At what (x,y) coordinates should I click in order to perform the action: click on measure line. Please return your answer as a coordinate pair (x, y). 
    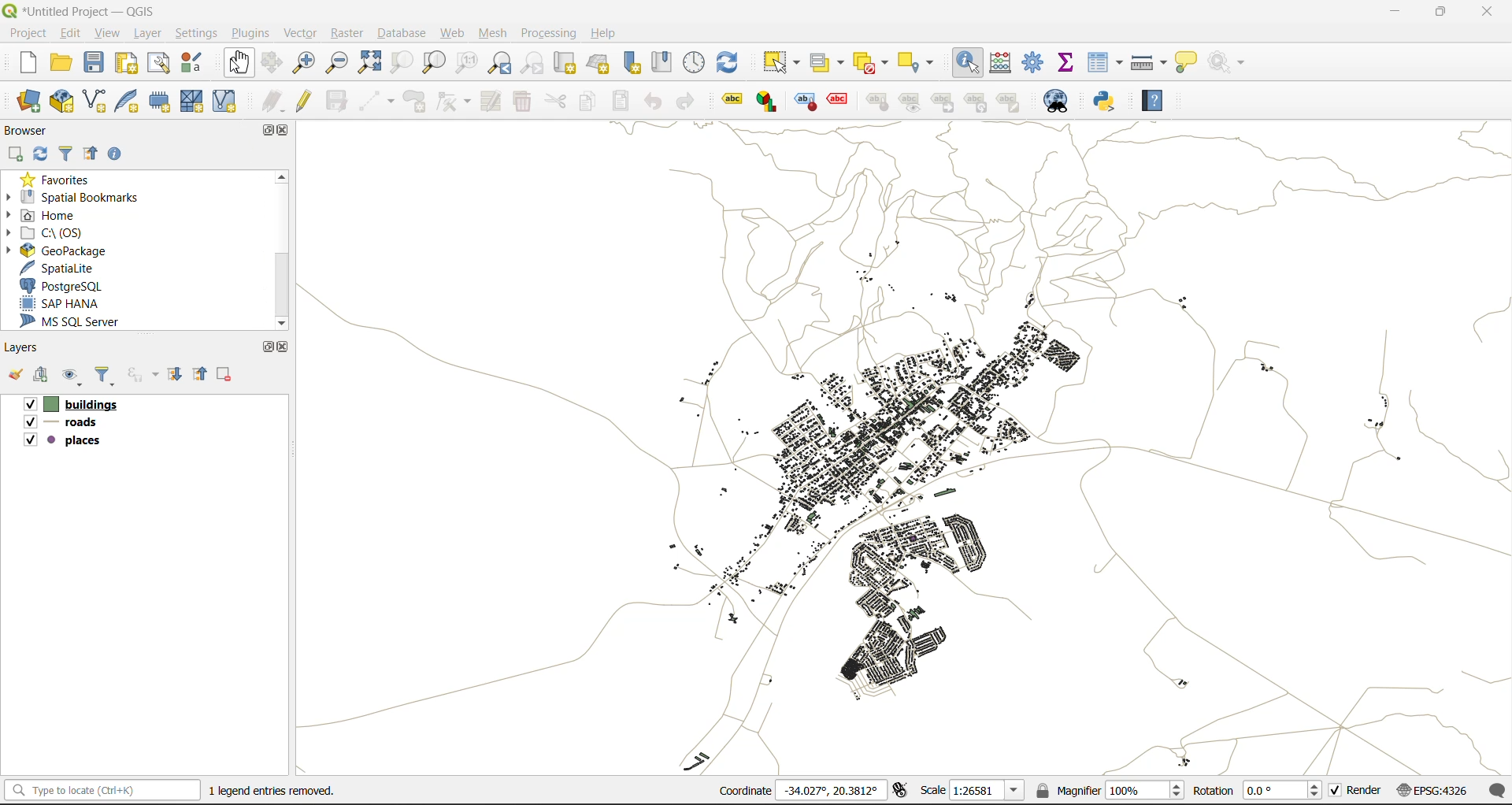
    Looking at the image, I should click on (1151, 63).